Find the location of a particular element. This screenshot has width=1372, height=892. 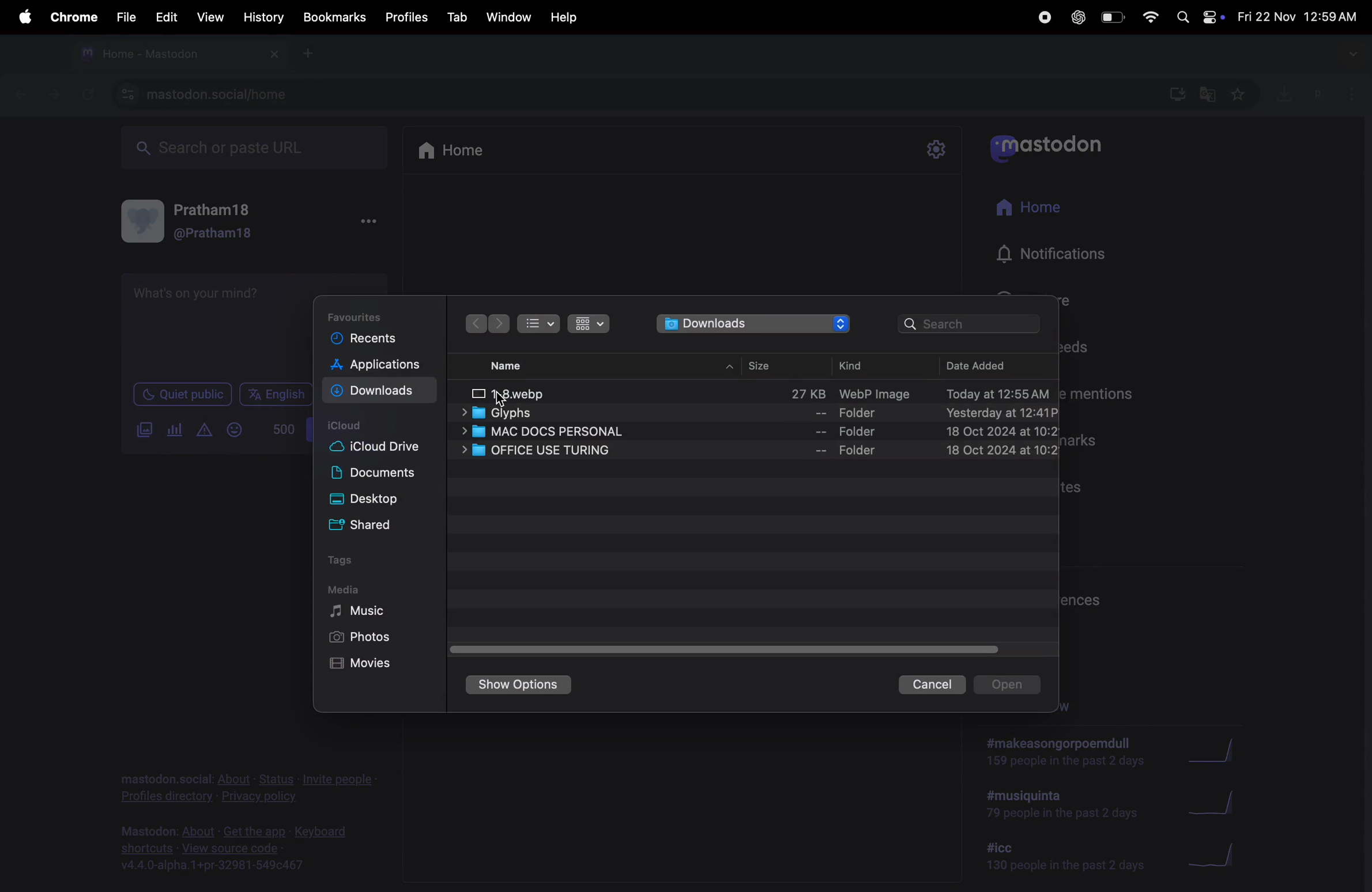

desktop is located at coordinates (371, 500).